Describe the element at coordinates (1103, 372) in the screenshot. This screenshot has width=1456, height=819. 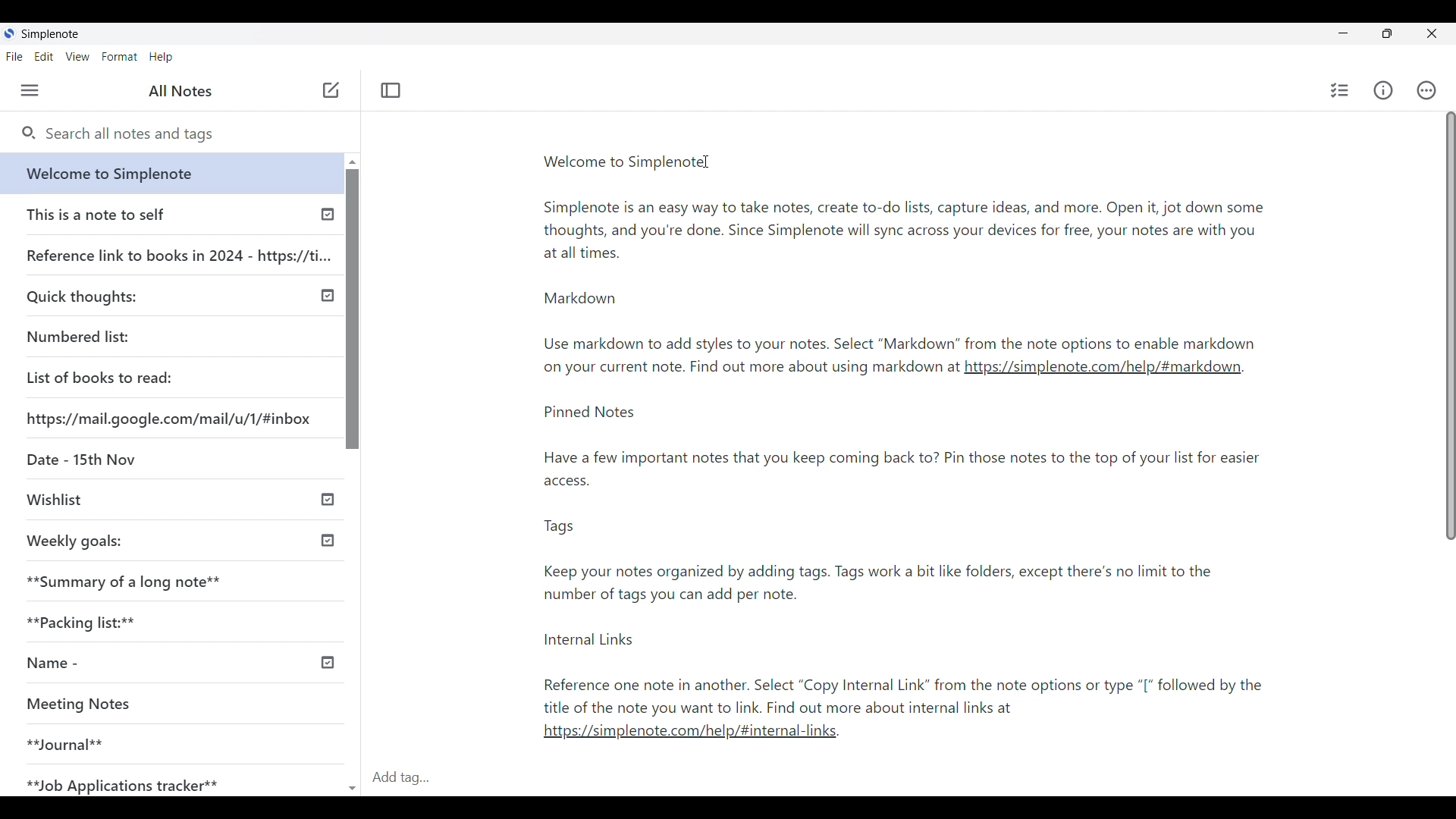
I see `link` at that location.